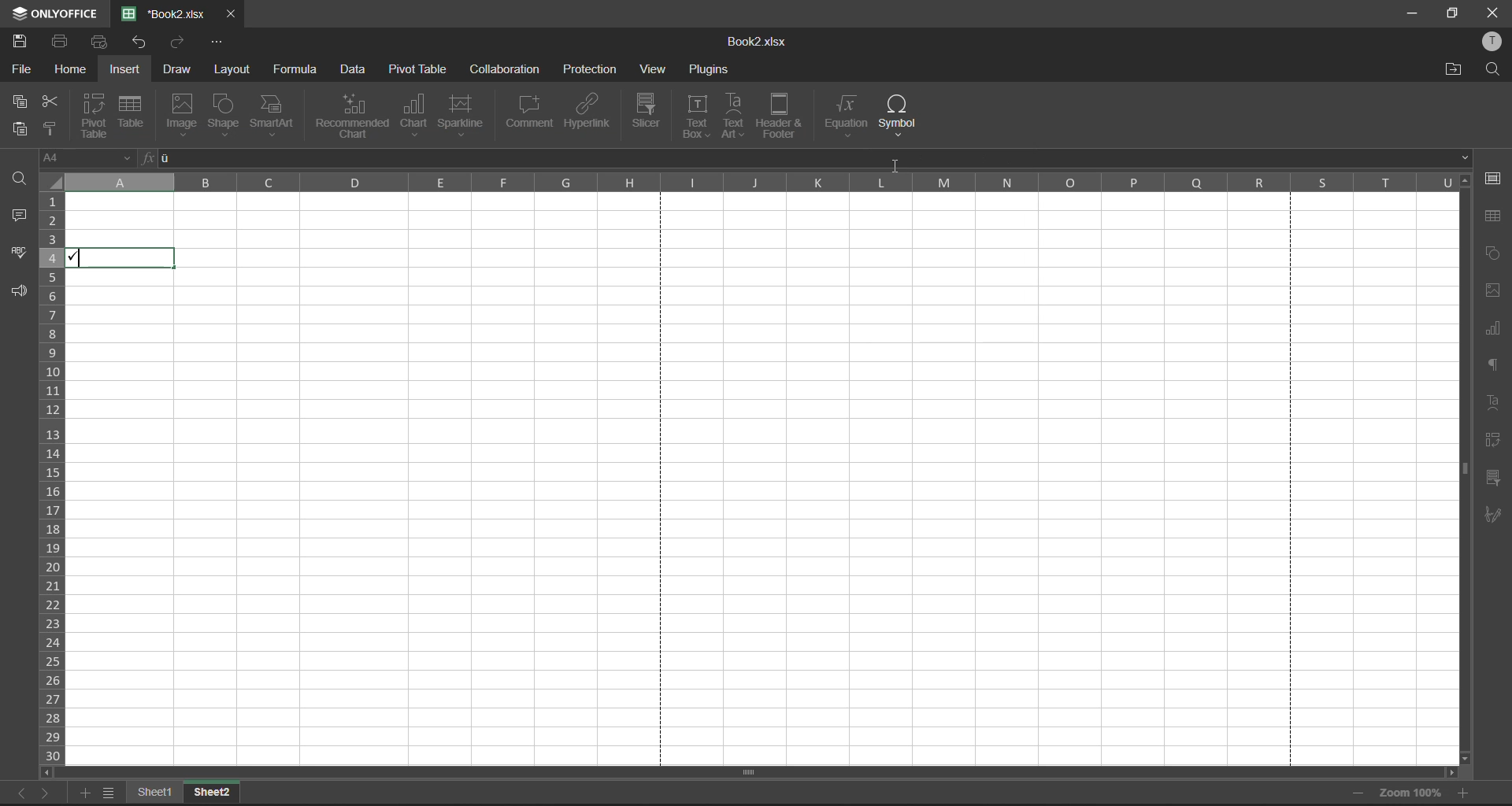 This screenshot has width=1512, height=806. What do you see at coordinates (178, 43) in the screenshot?
I see `redo` at bounding box center [178, 43].